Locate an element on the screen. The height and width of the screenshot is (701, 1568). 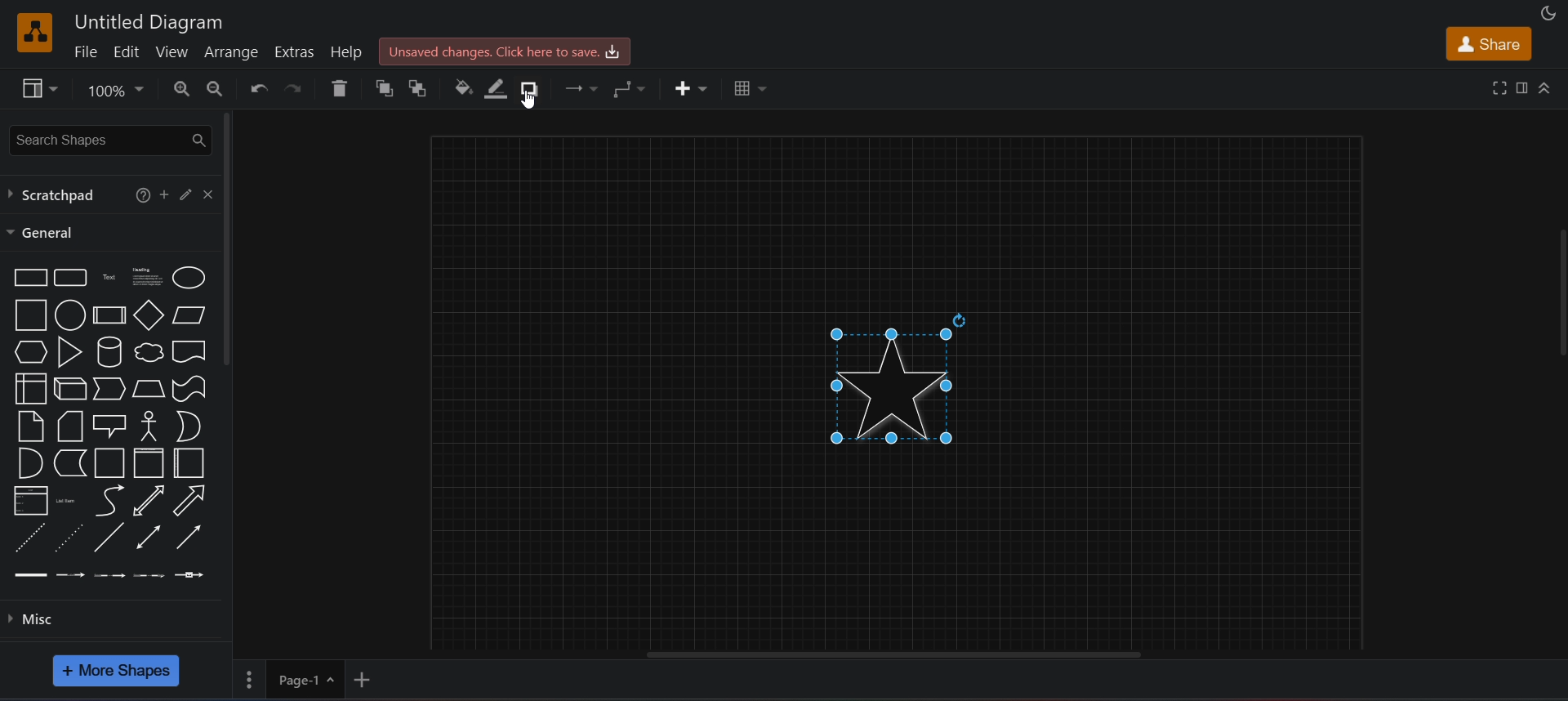
star shape is located at coordinates (898, 387).